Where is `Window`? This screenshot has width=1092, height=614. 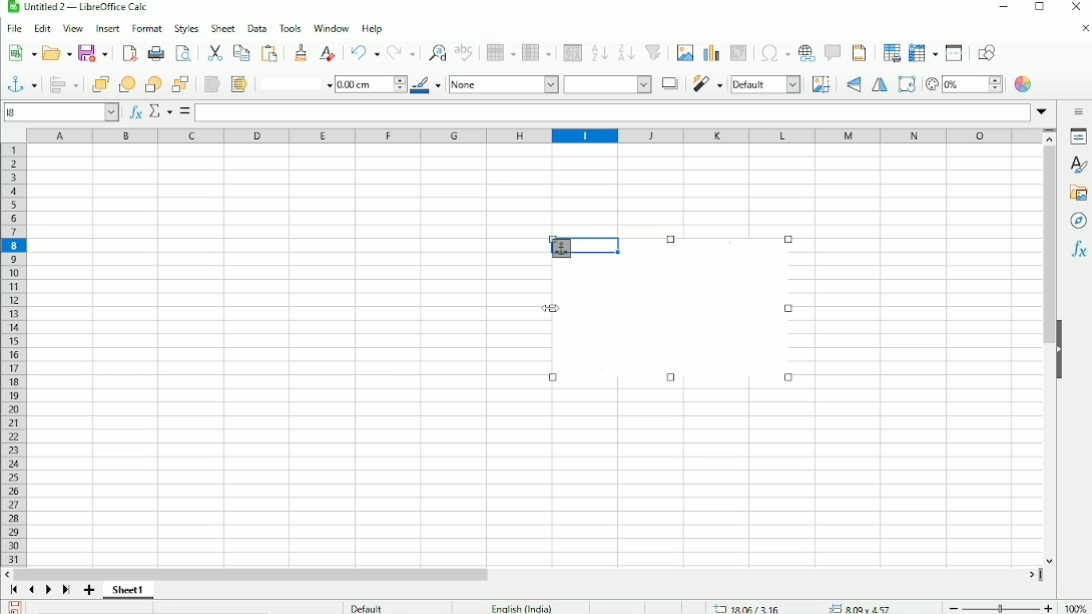
Window is located at coordinates (330, 28).